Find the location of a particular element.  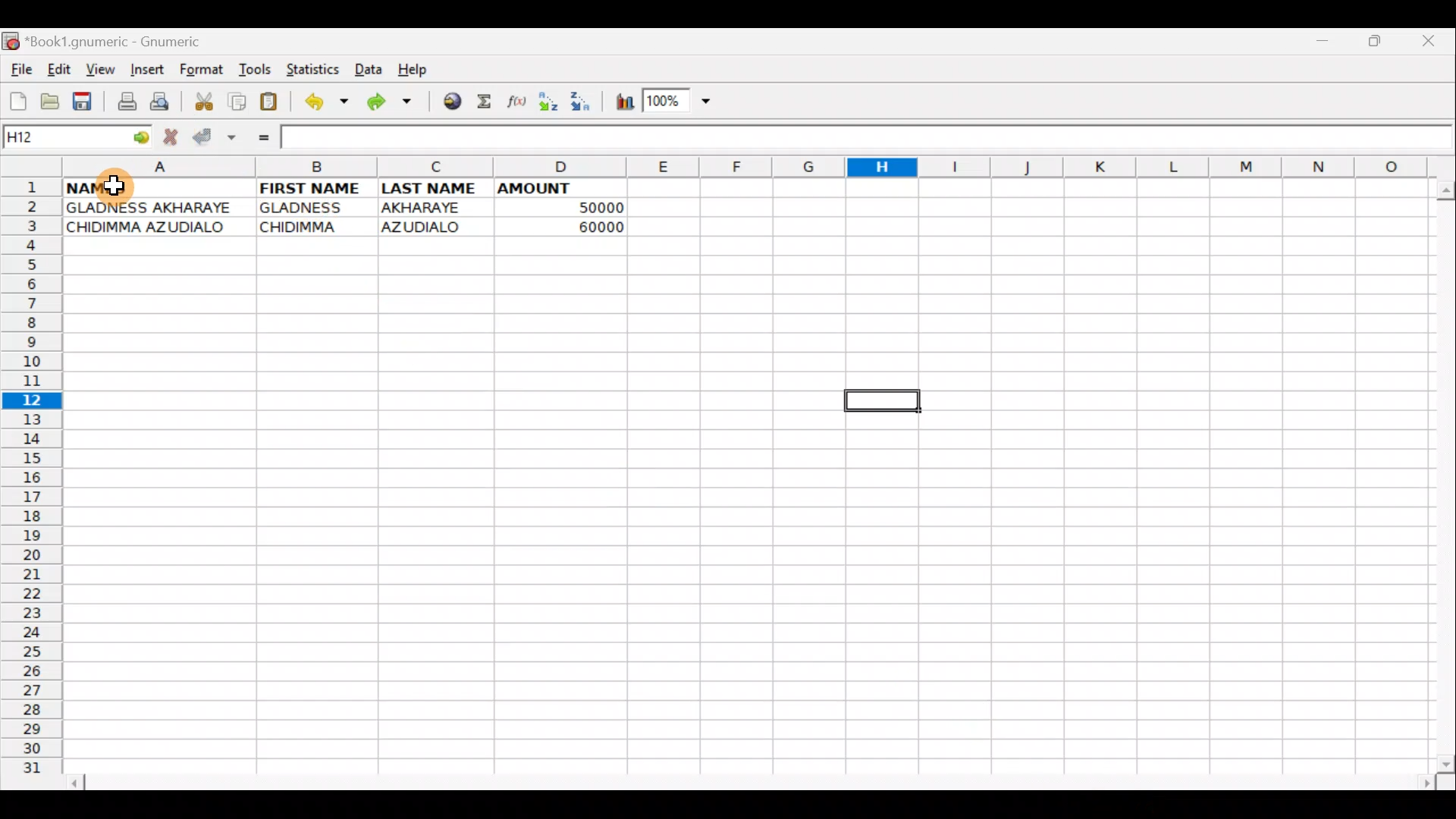

CHIDIMMA is located at coordinates (313, 227).